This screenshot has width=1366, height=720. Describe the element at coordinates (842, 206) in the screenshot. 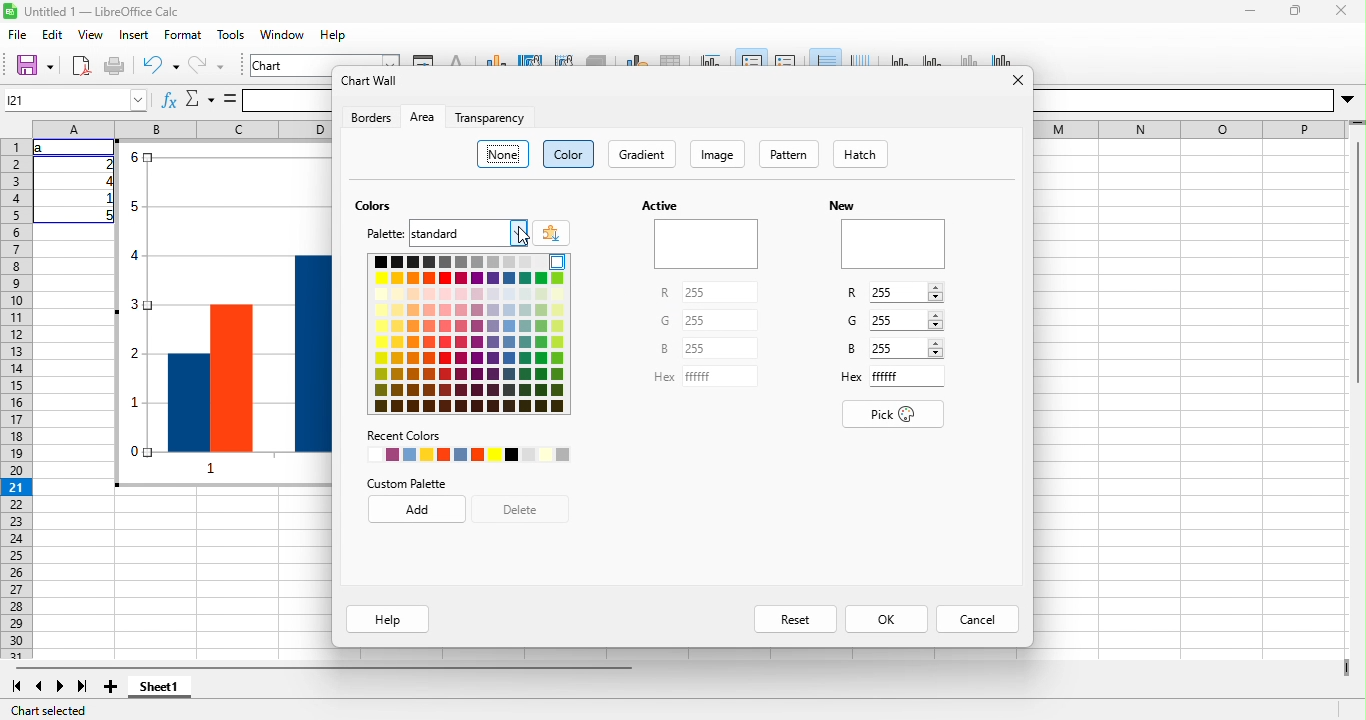

I see `New` at that location.